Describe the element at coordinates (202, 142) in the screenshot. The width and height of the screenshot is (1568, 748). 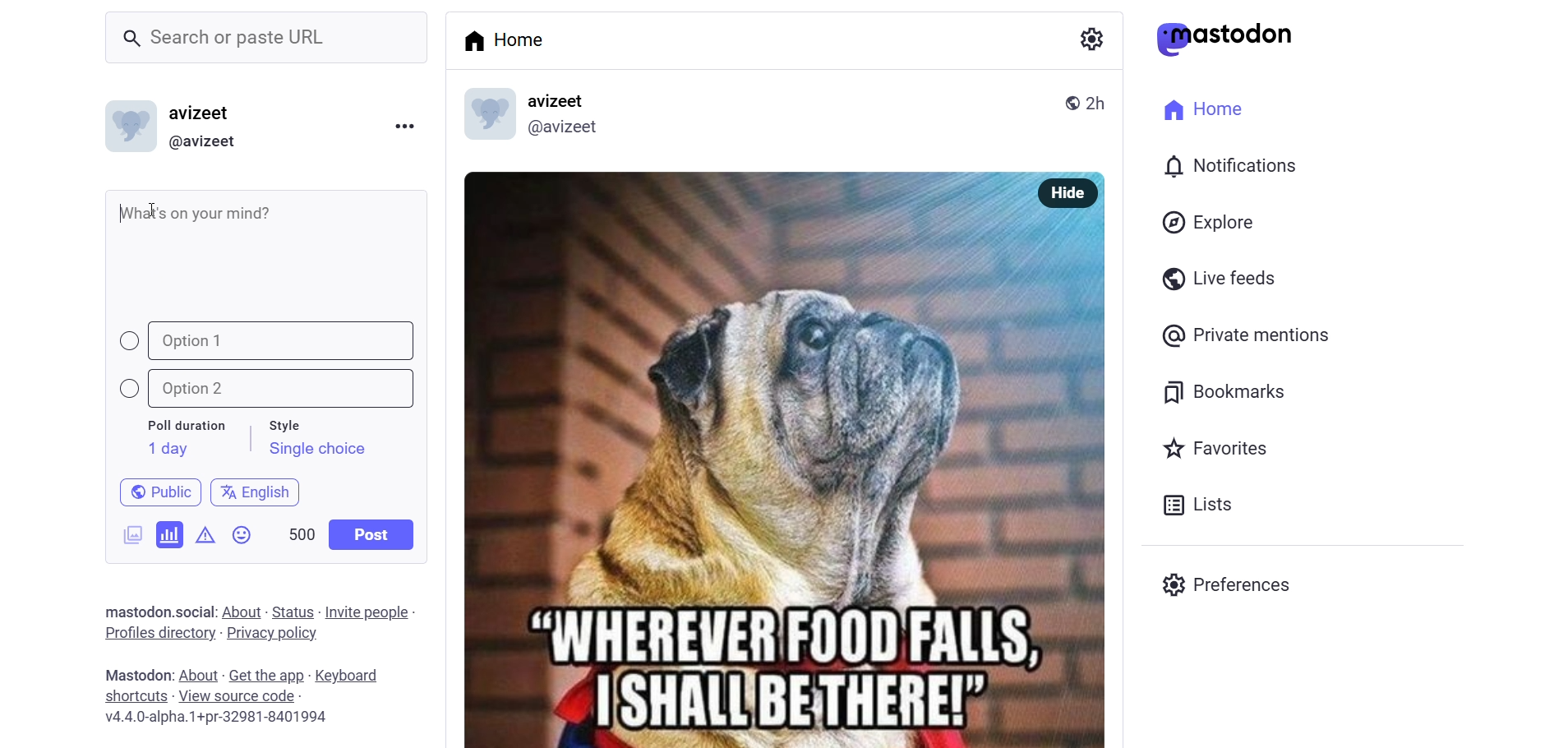
I see `@avizeet` at that location.